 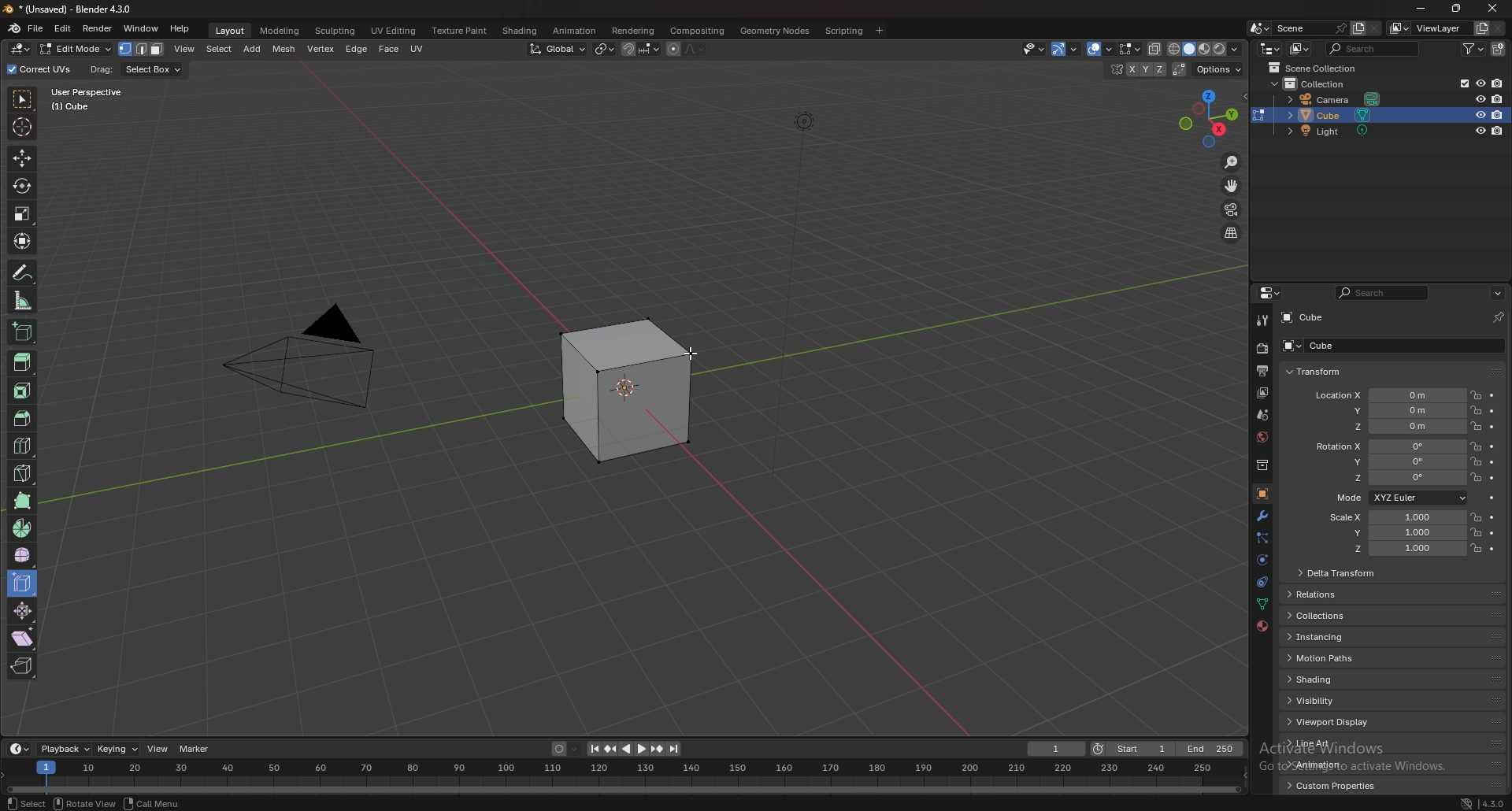 I want to click on location z, so click(x=1399, y=427).